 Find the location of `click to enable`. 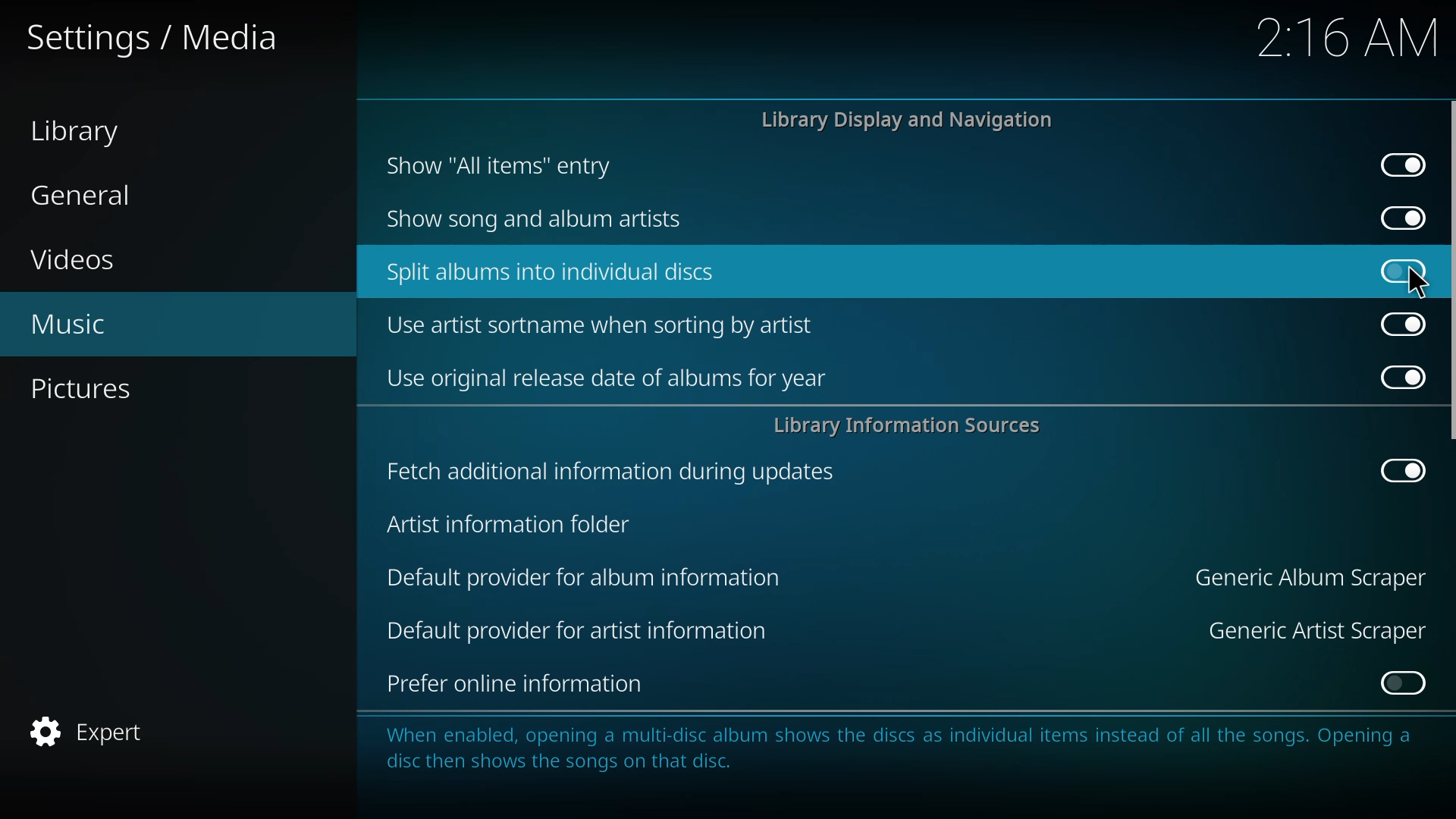

click to enable is located at coordinates (1402, 271).